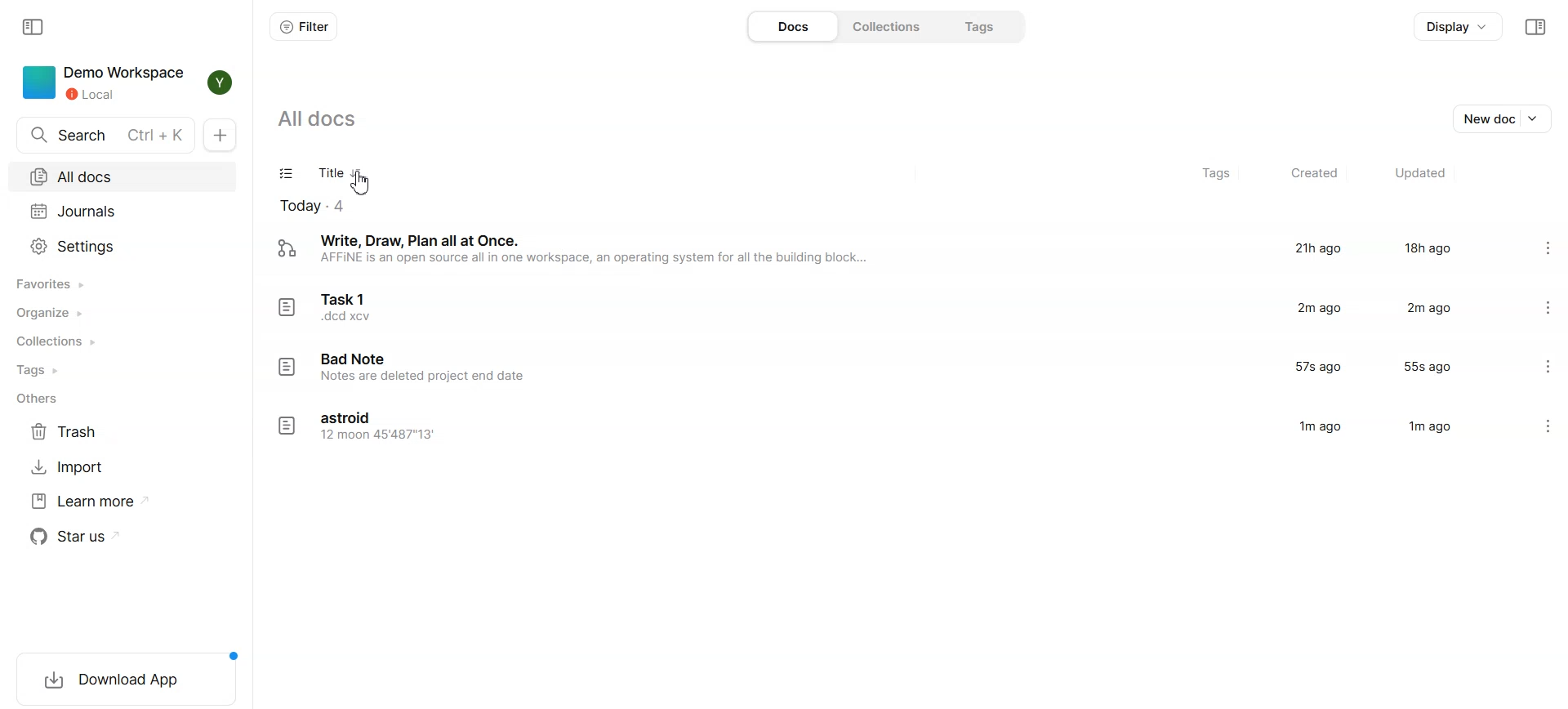 The height and width of the screenshot is (709, 1568). What do you see at coordinates (793, 25) in the screenshot?
I see `Docs` at bounding box center [793, 25].